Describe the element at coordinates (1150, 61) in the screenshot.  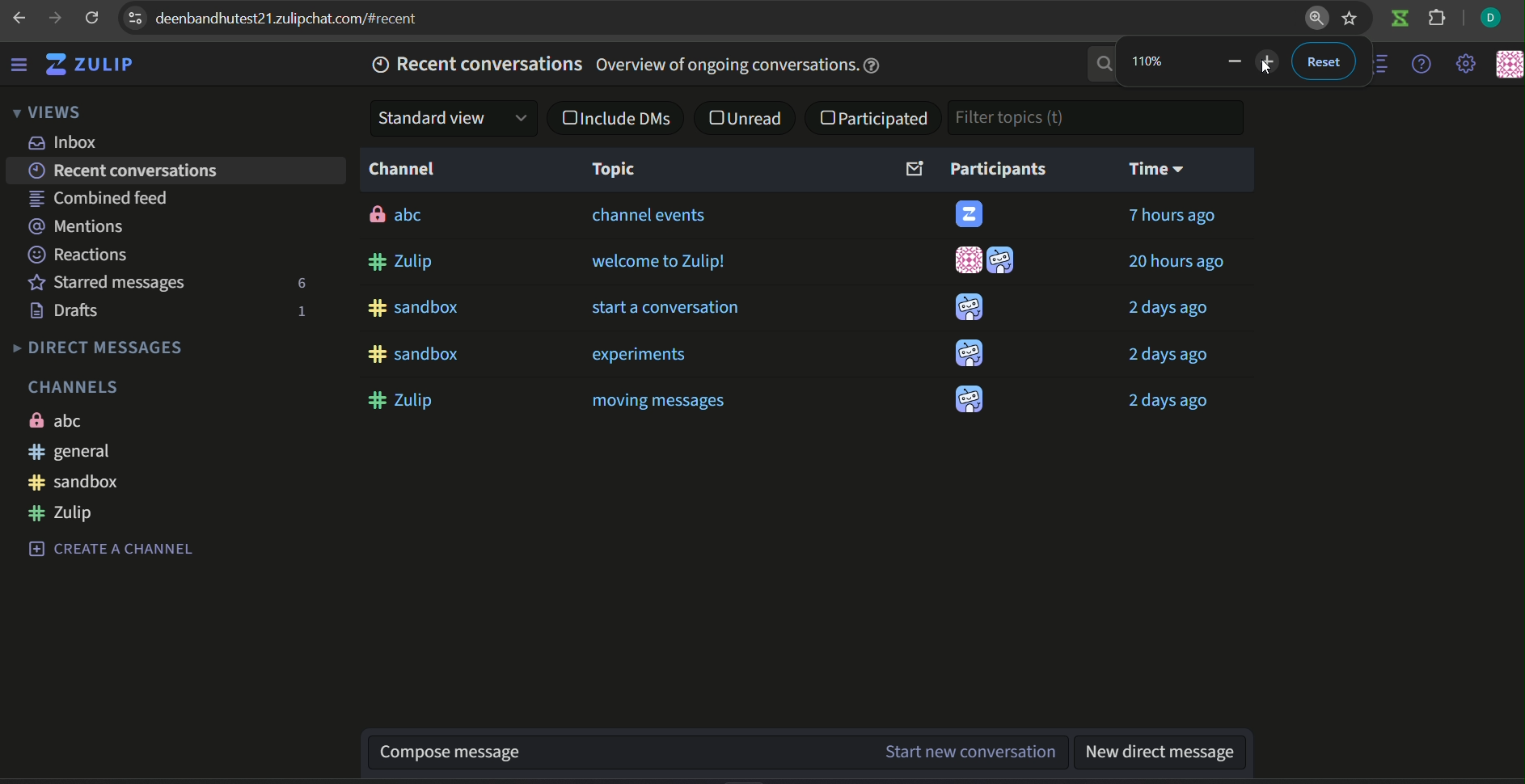
I see `number` at that location.